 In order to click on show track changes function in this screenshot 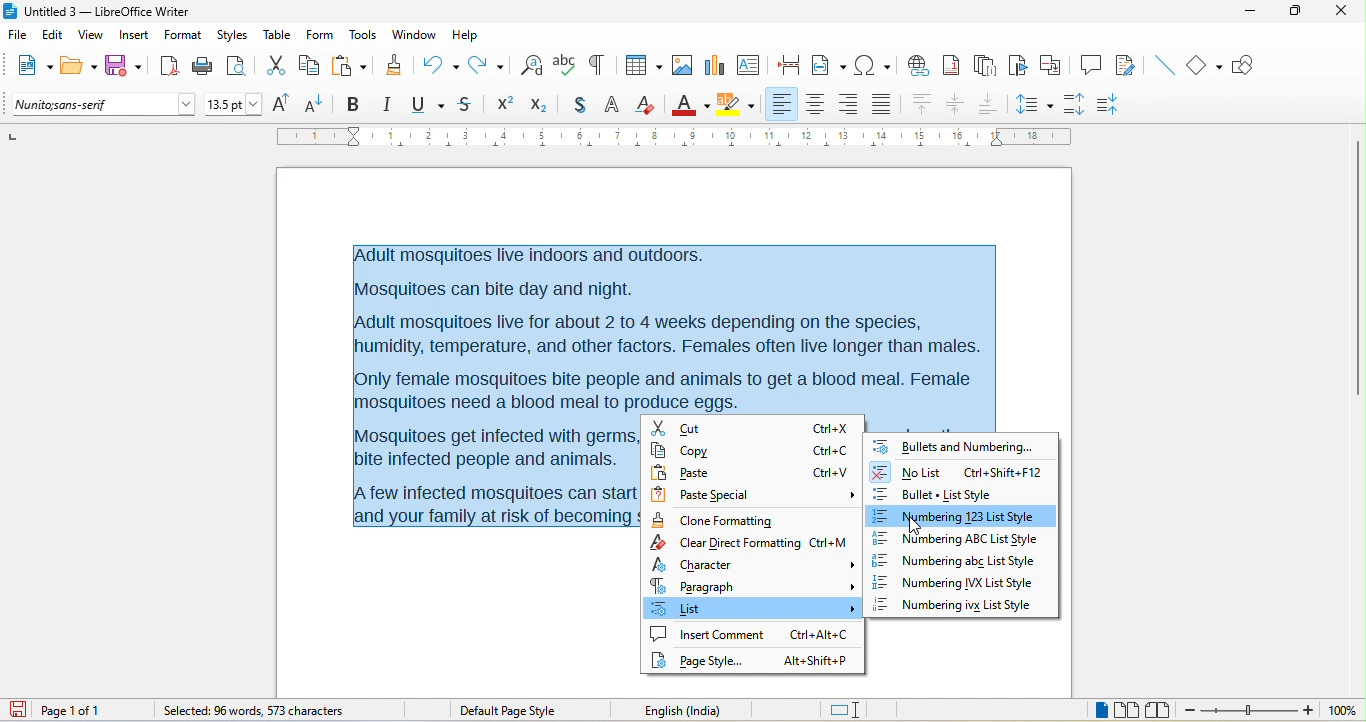, I will do `click(1127, 64)`.